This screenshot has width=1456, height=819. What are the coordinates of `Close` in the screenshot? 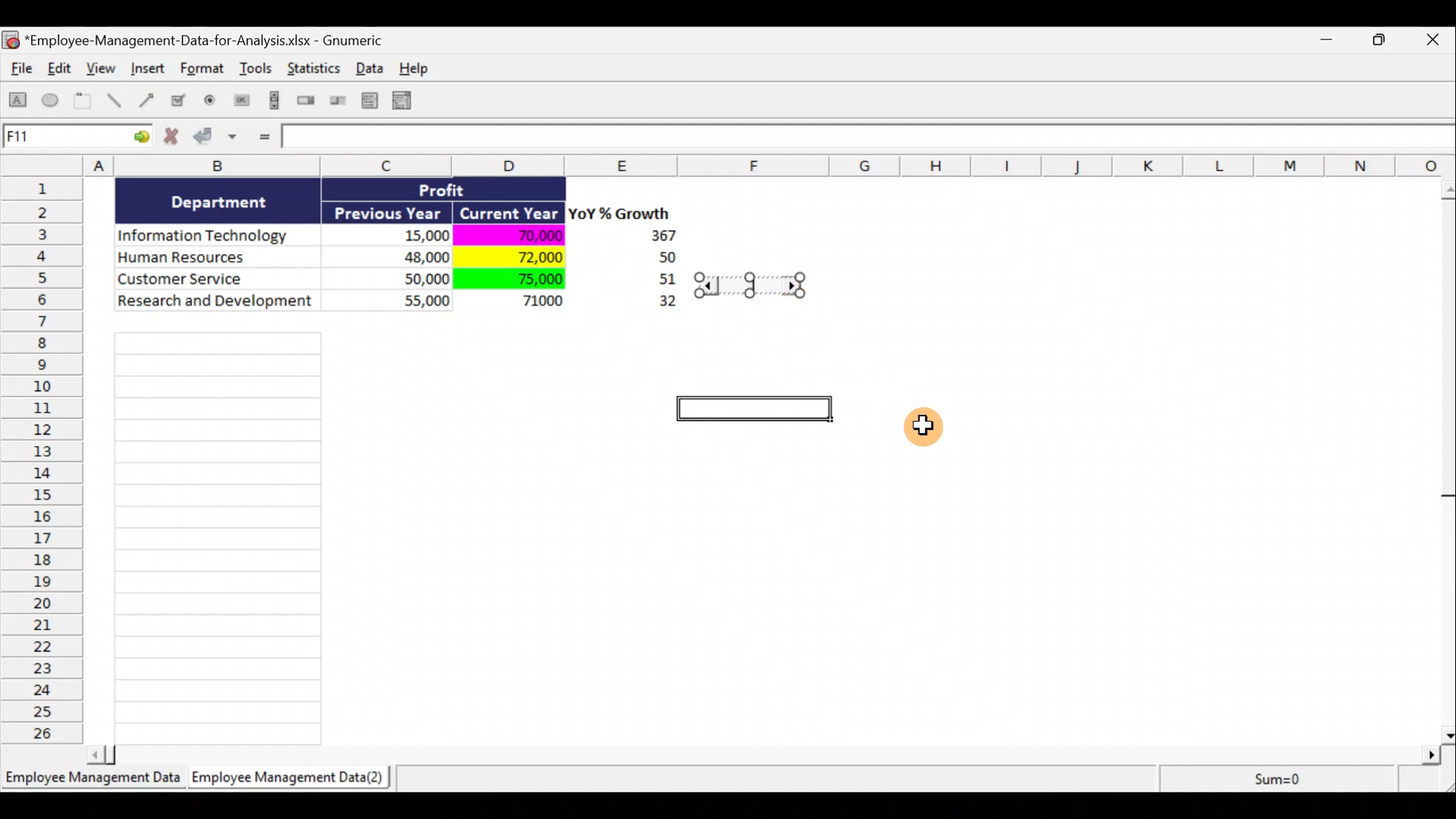 It's located at (1436, 41).